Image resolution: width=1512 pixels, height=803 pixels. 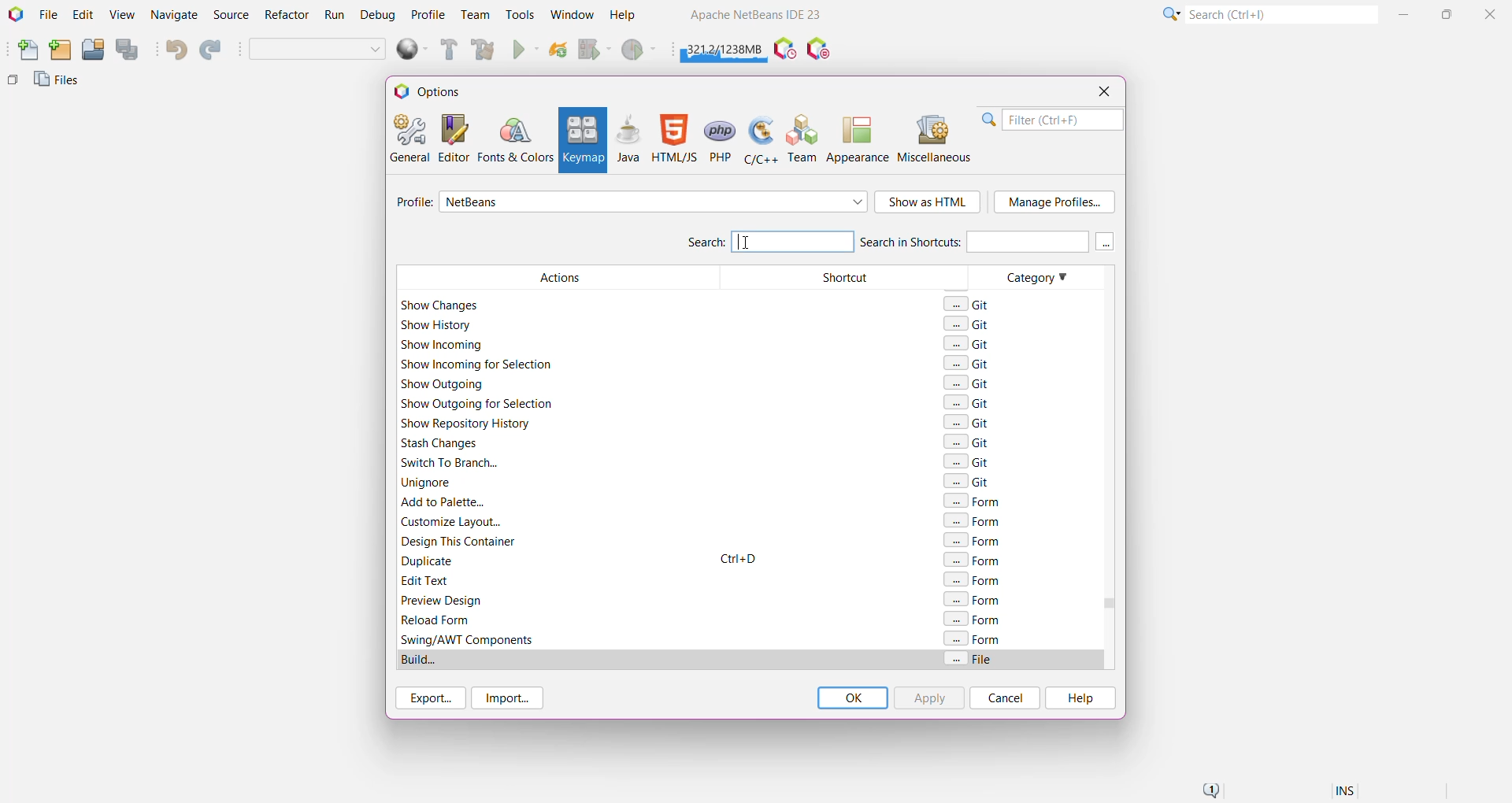 I want to click on Appearance, so click(x=858, y=139).